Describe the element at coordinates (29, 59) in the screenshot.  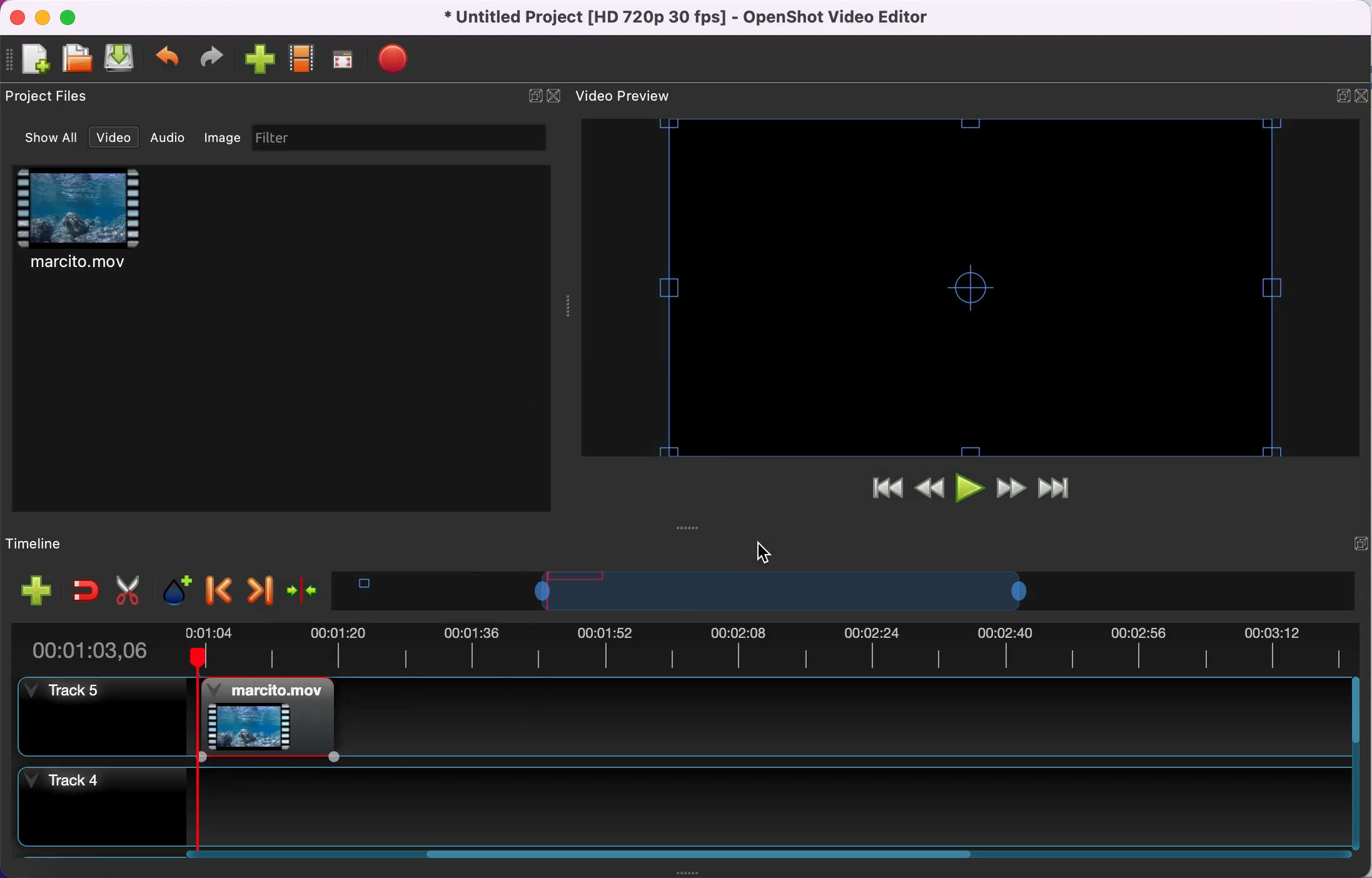
I see `new file` at that location.